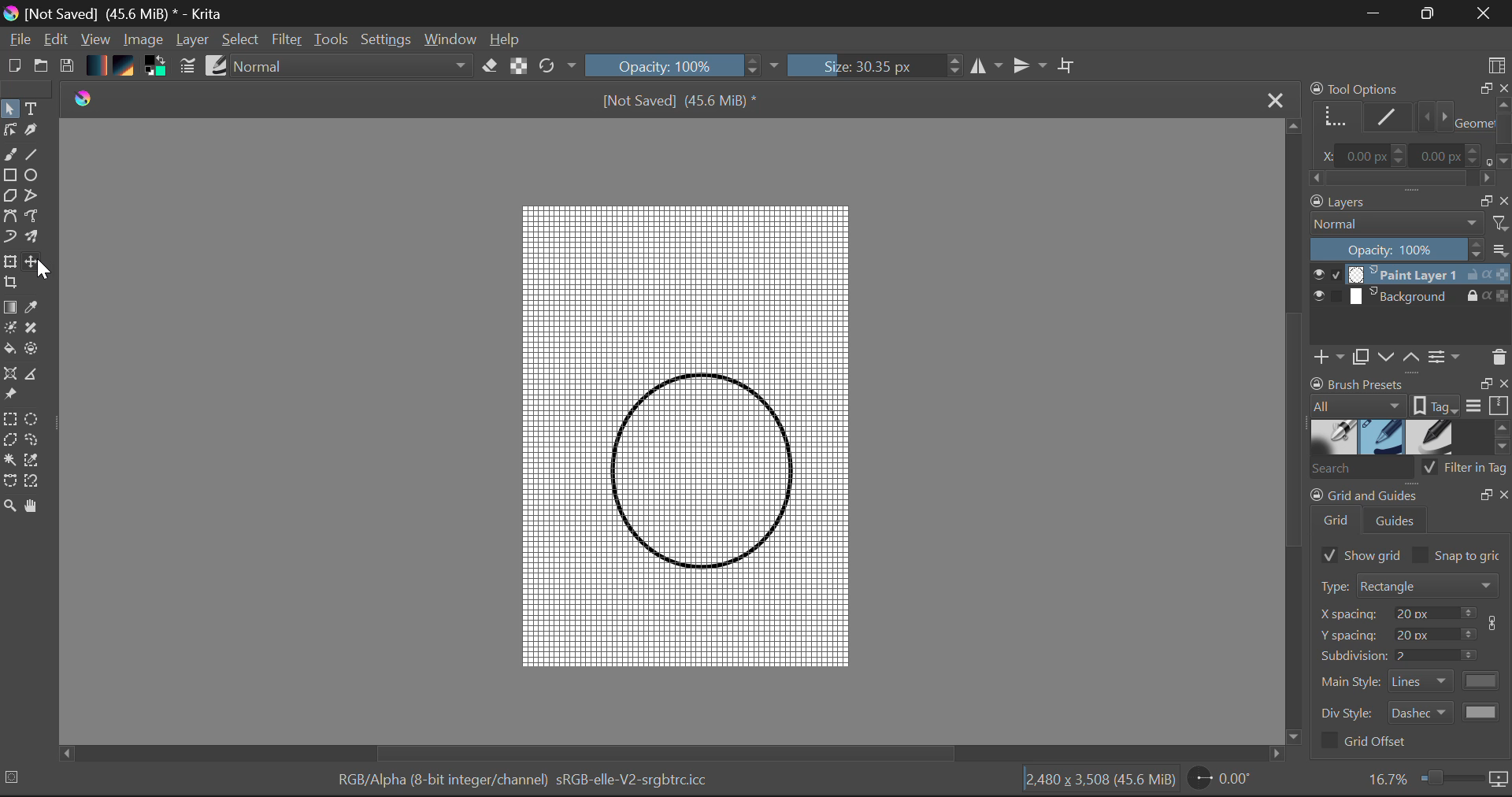 This screenshot has width=1512, height=797. What do you see at coordinates (36, 352) in the screenshot?
I see `Enclose and Fill` at bounding box center [36, 352].